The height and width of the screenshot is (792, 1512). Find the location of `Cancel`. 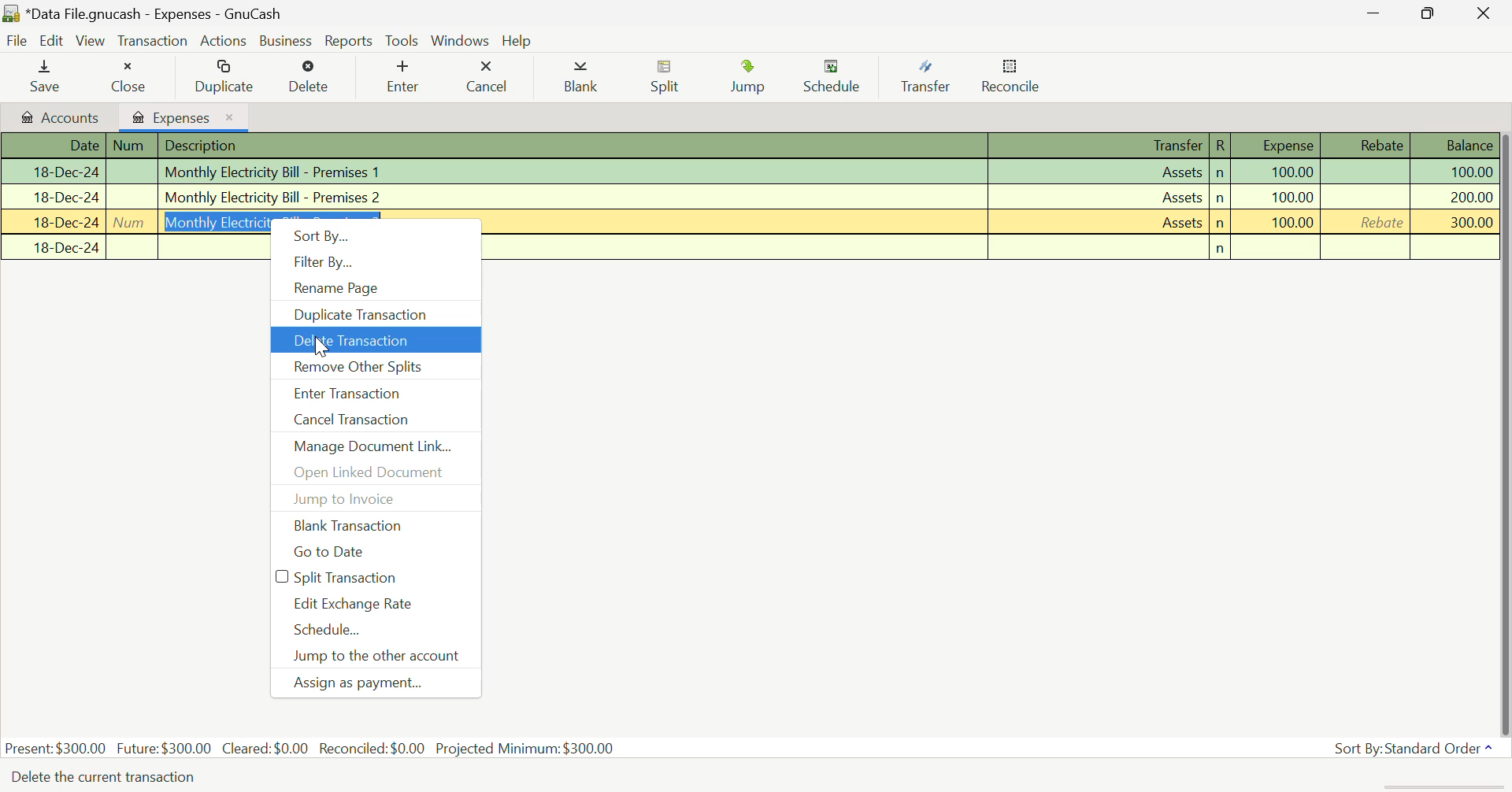

Cancel is located at coordinates (488, 77).